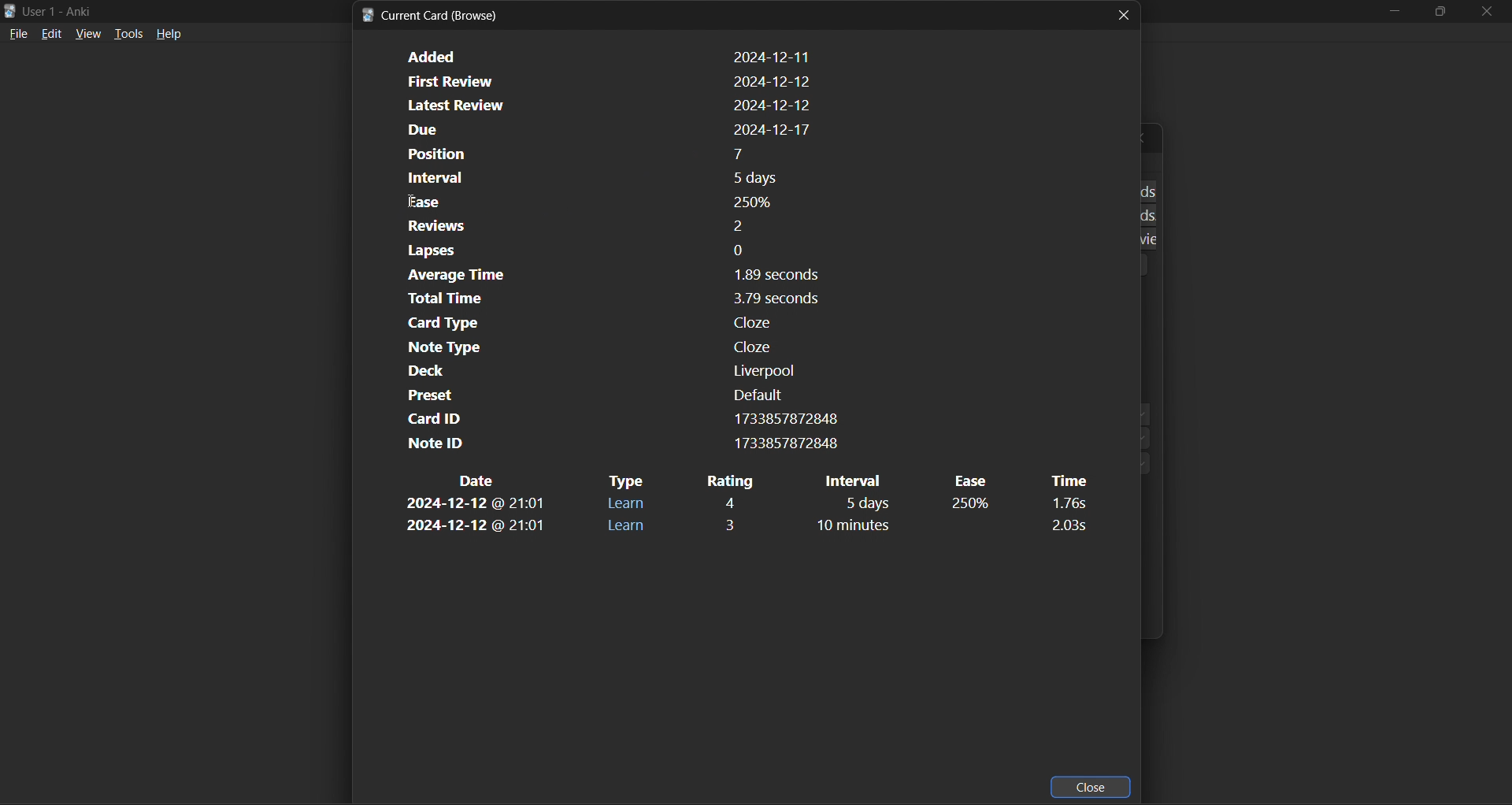 The width and height of the screenshot is (1512, 805). What do you see at coordinates (605, 131) in the screenshot?
I see `card due date` at bounding box center [605, 131].